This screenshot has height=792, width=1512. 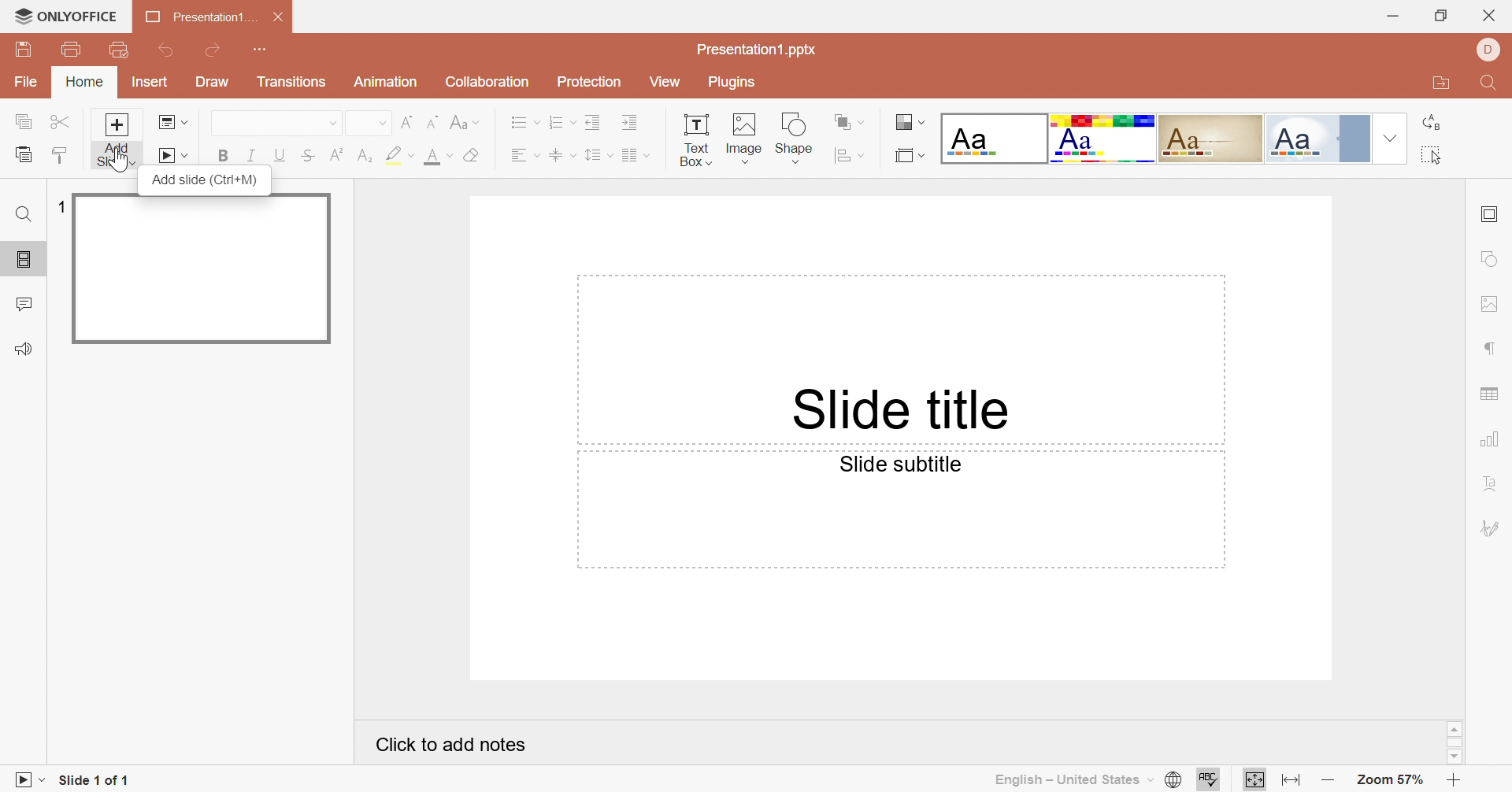 What do you see at coordinates (735, 85) in the screenshot?
I see `Plugins` at bounding box center [735, 85].